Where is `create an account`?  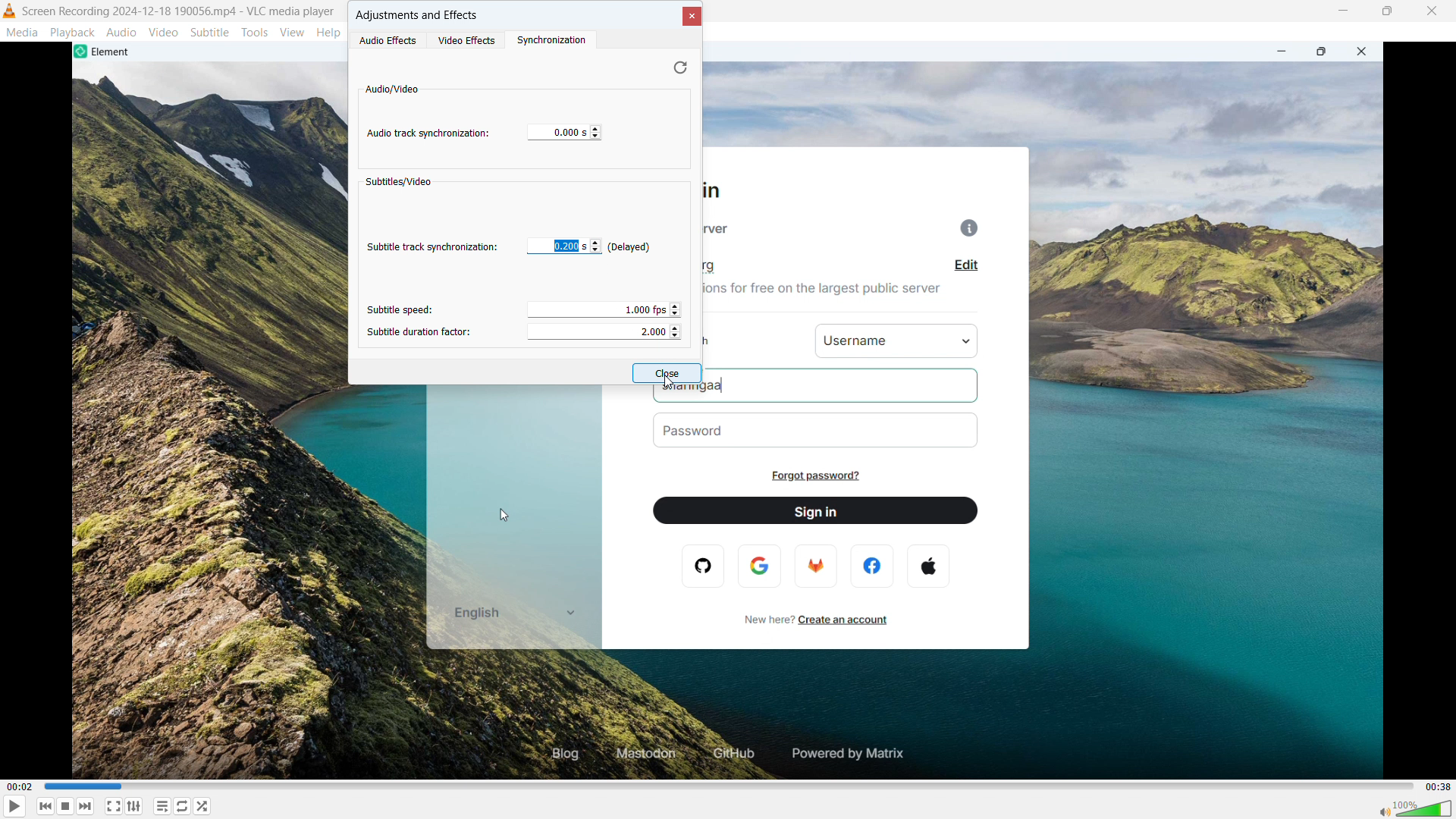
create an account is located at coordinates (854, 620).